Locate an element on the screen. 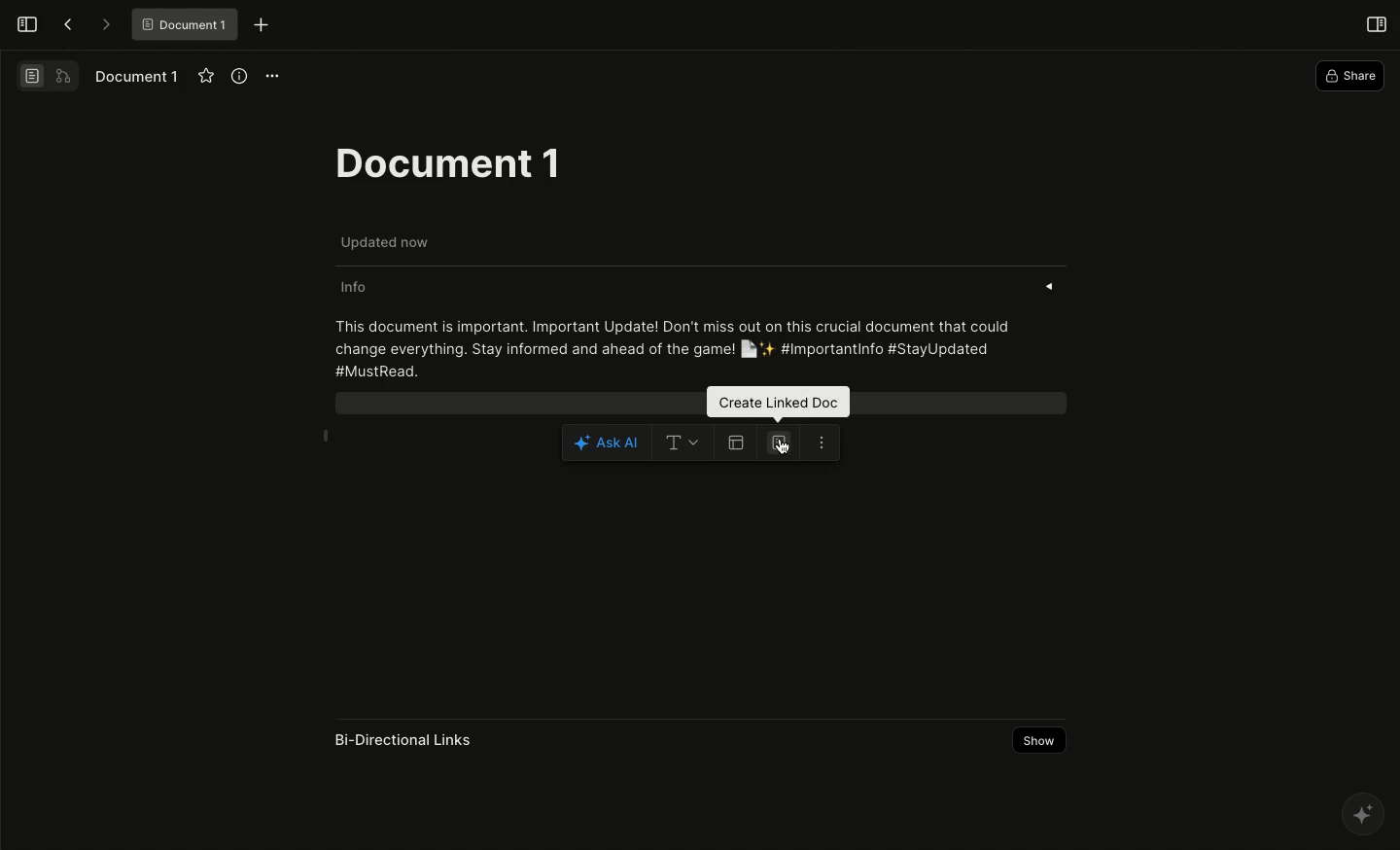 This screenshot has height=850, width=1400. Open sidebar is located at coordinates (27, 25).